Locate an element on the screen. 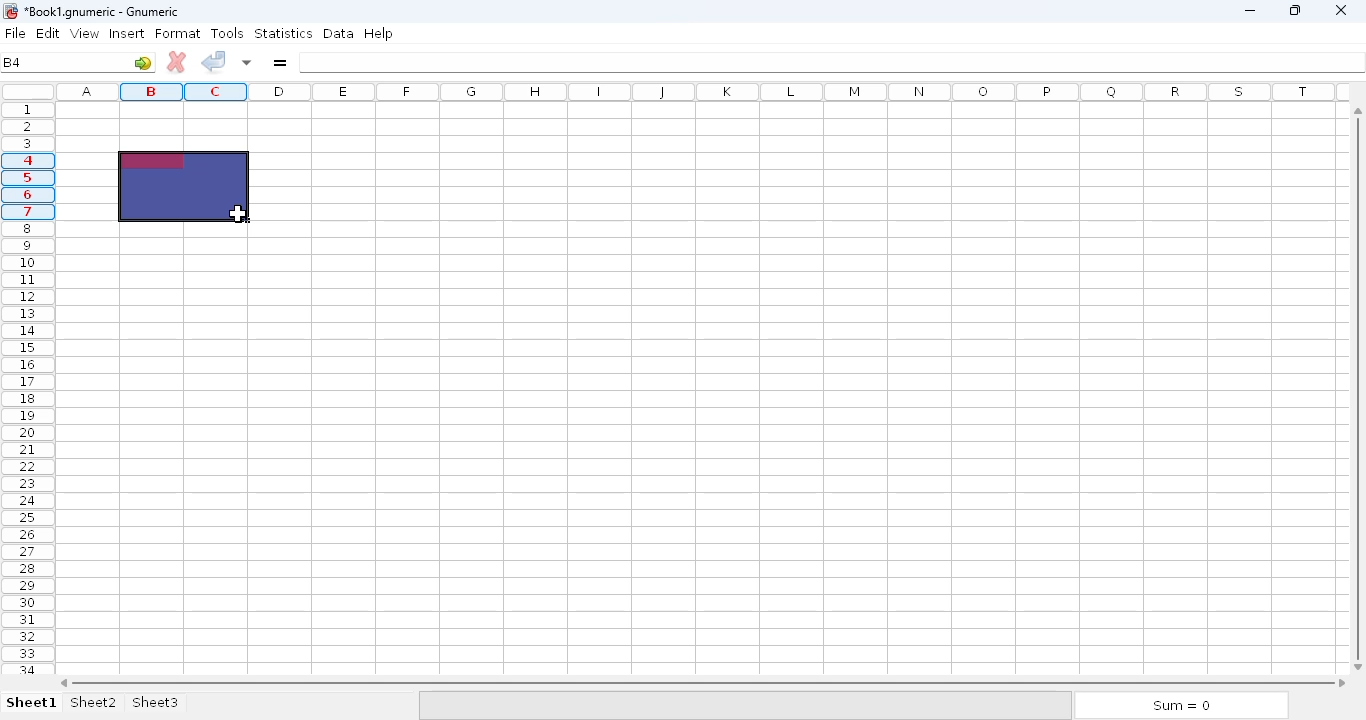 This screenshot has width=1366, height=720. data is located at coordinates (338, 33).